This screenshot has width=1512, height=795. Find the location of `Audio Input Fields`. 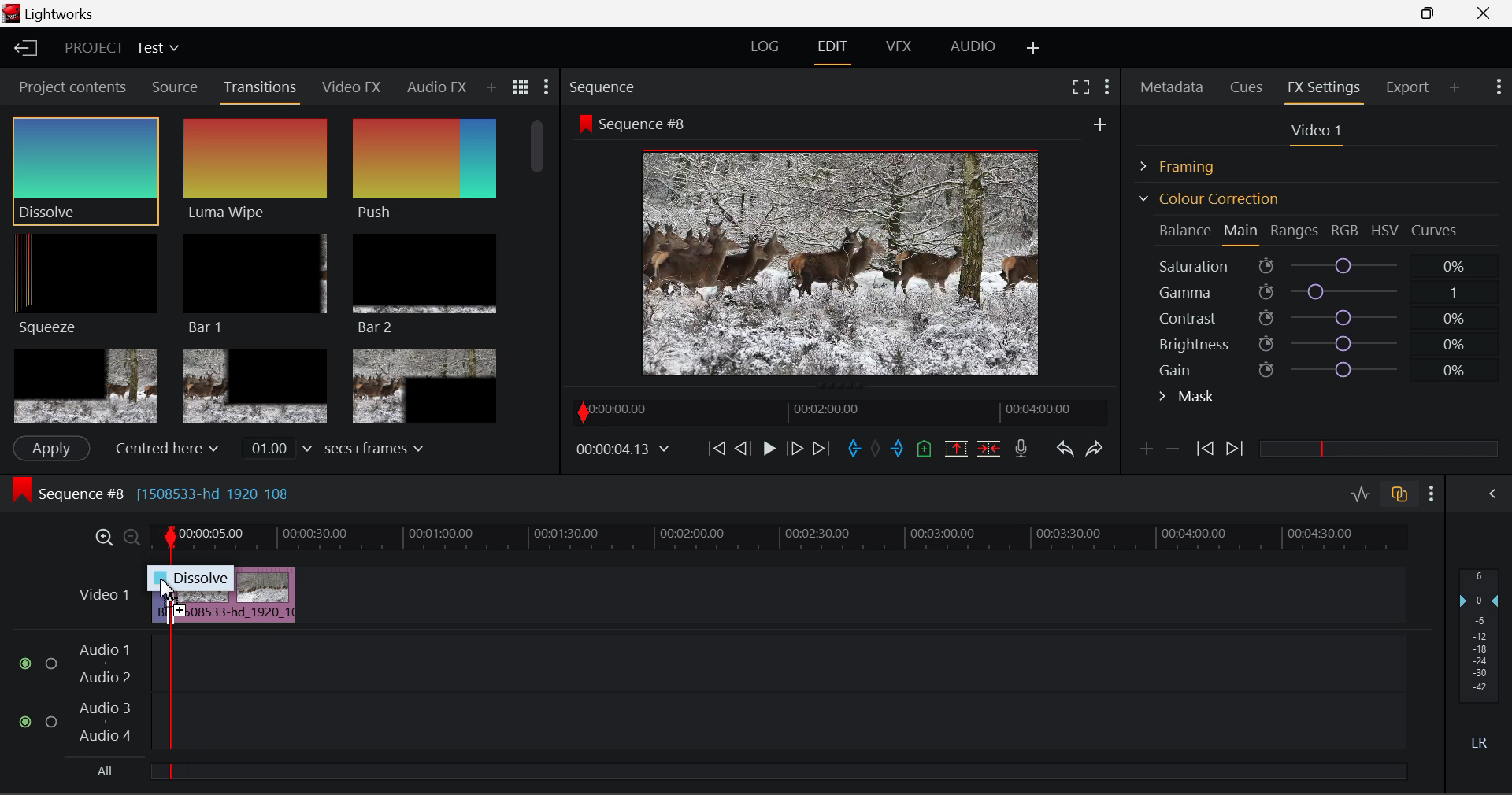

Audio Input Fields is located at coordinates (712, 694).